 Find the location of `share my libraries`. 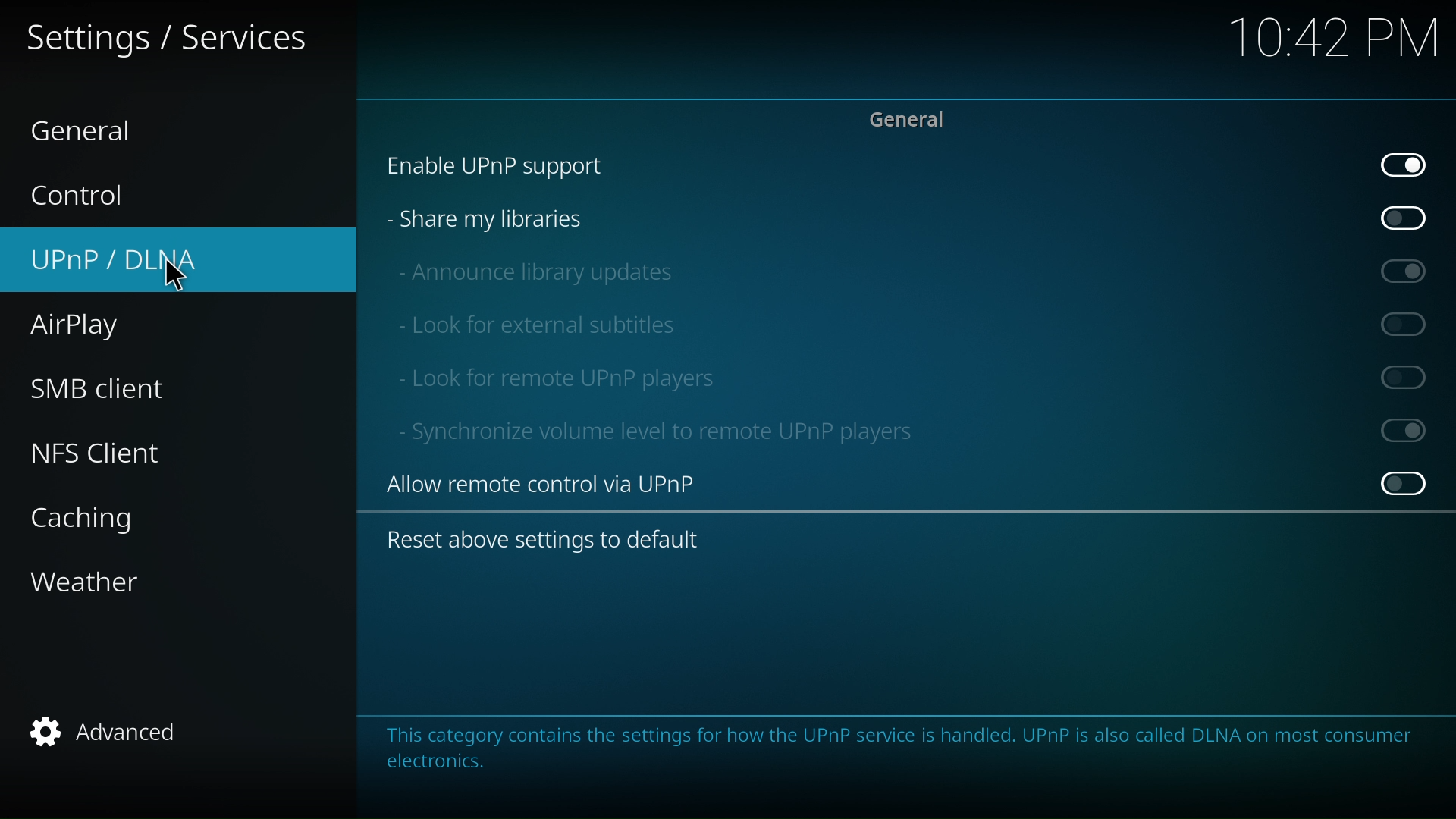

share my libraries is located at coordinates (905, 221).